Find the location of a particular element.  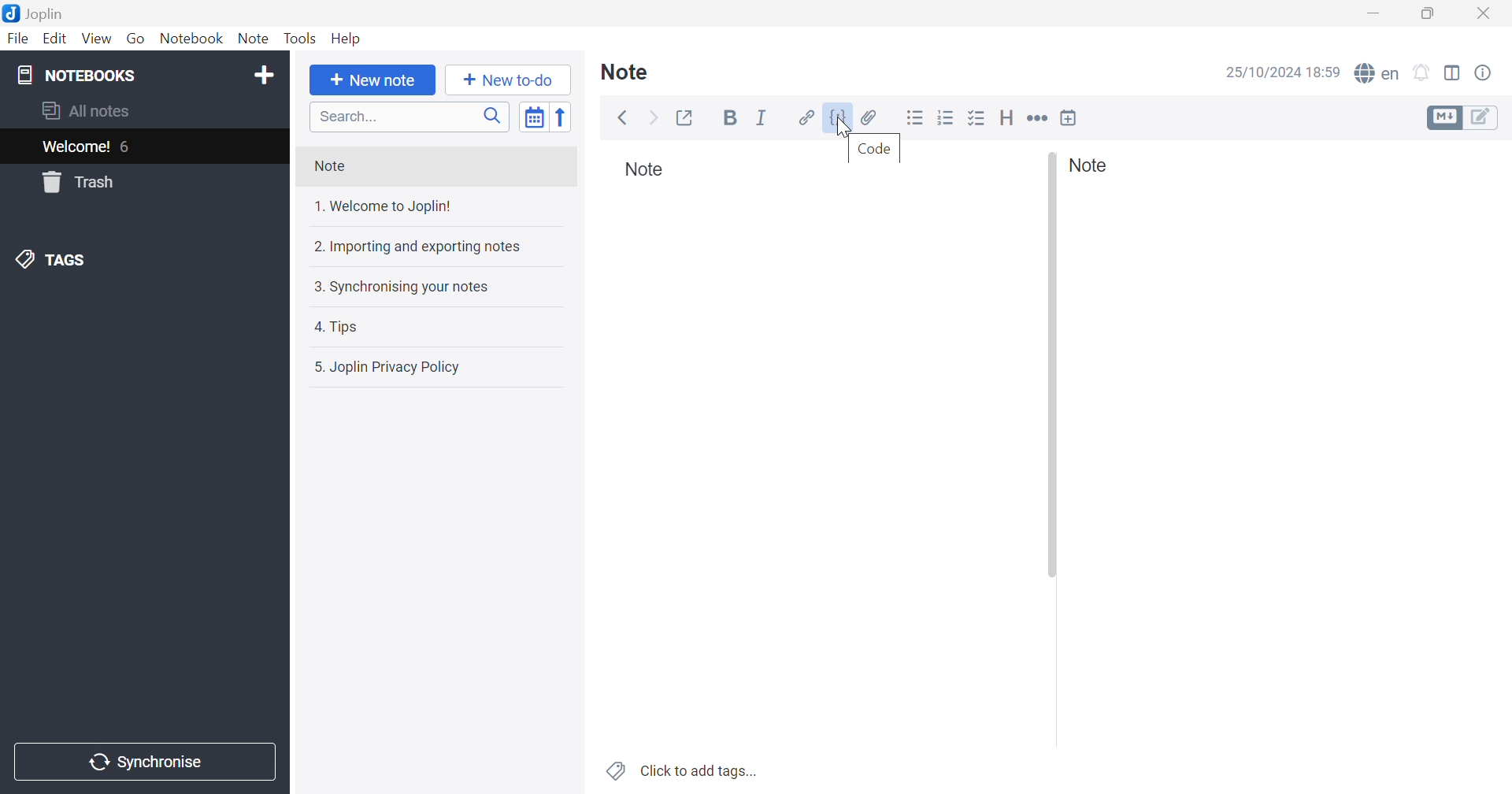

1. Welcome to Joplin! is located at coordinates (379, 208).